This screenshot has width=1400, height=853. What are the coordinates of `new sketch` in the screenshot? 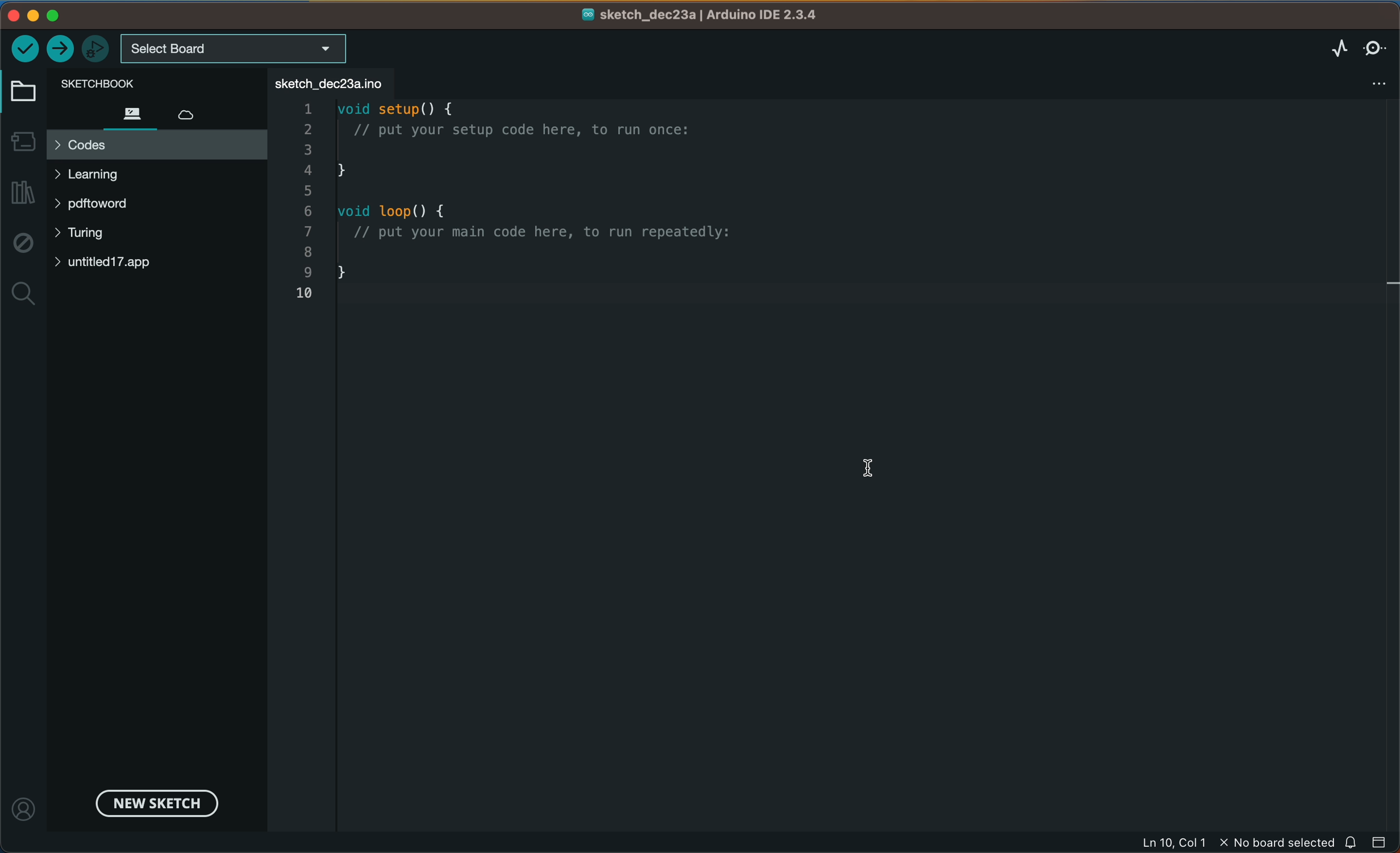 It's located at (160, 804).